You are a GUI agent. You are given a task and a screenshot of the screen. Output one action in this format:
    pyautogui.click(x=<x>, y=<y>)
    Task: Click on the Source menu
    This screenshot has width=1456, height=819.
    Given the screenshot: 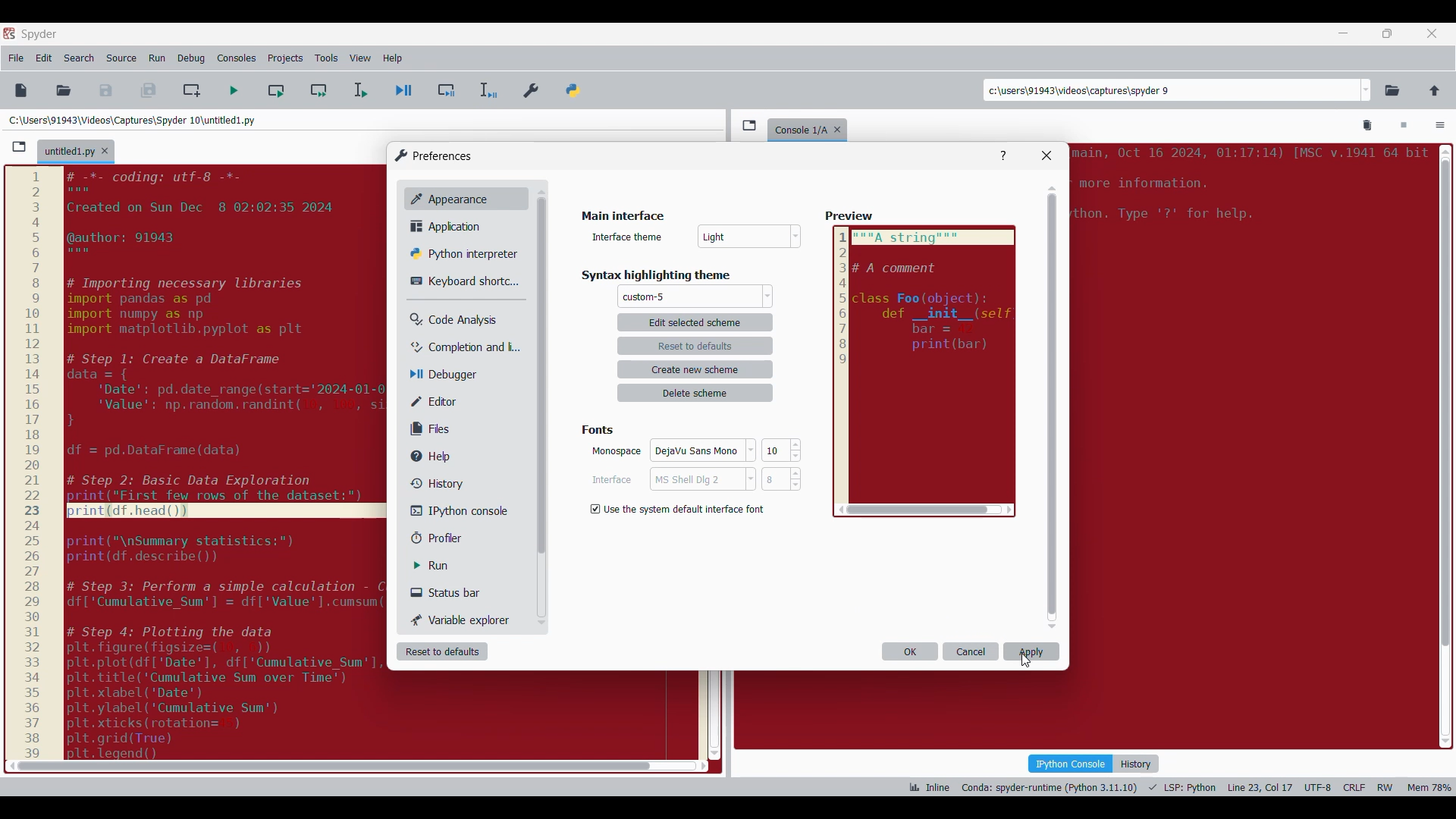 What is the action you would take?
    pyautogui.click(x=121, y=58)
    